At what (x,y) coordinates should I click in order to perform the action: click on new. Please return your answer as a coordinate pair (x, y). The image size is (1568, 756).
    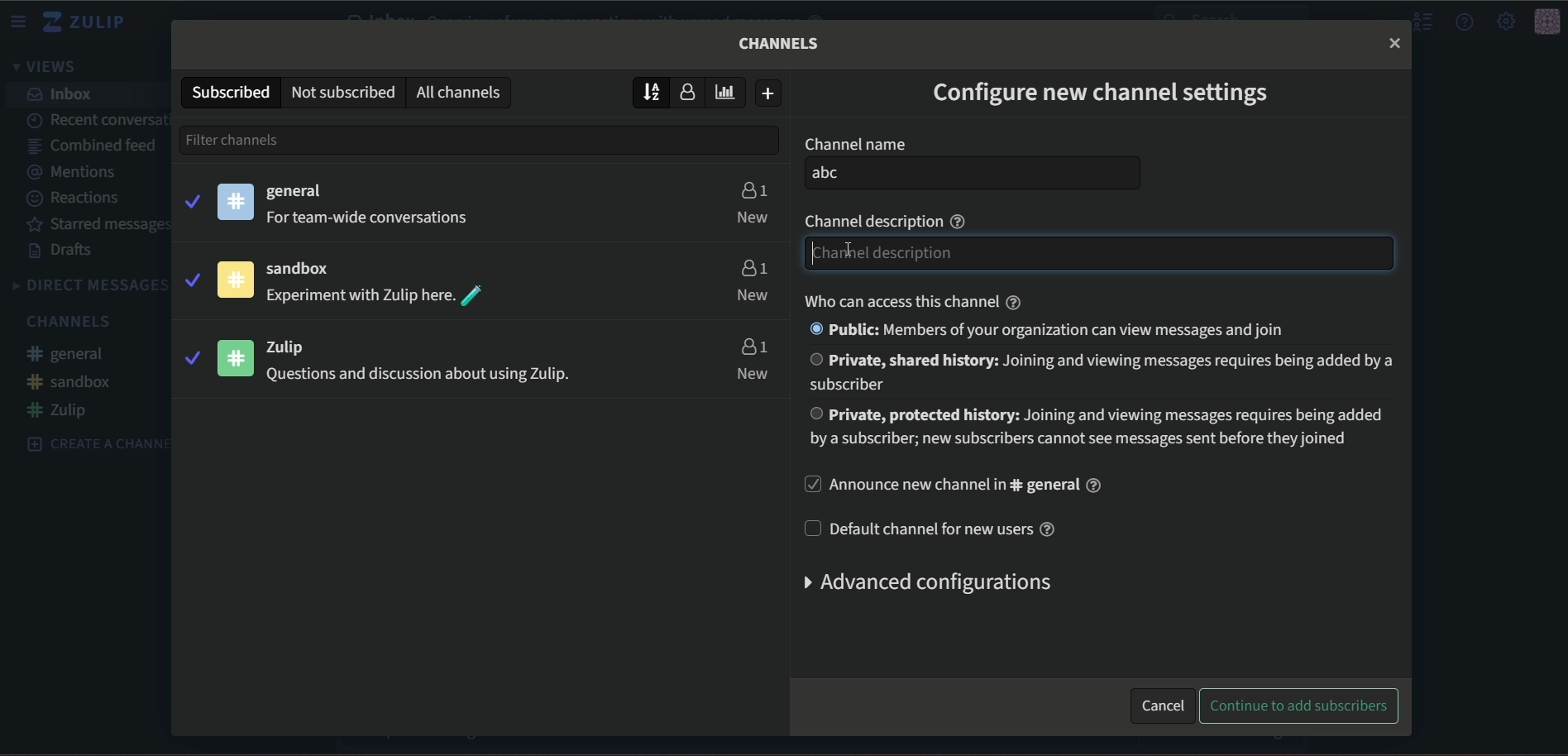
    Looking at the image, I should click on (753, 217).